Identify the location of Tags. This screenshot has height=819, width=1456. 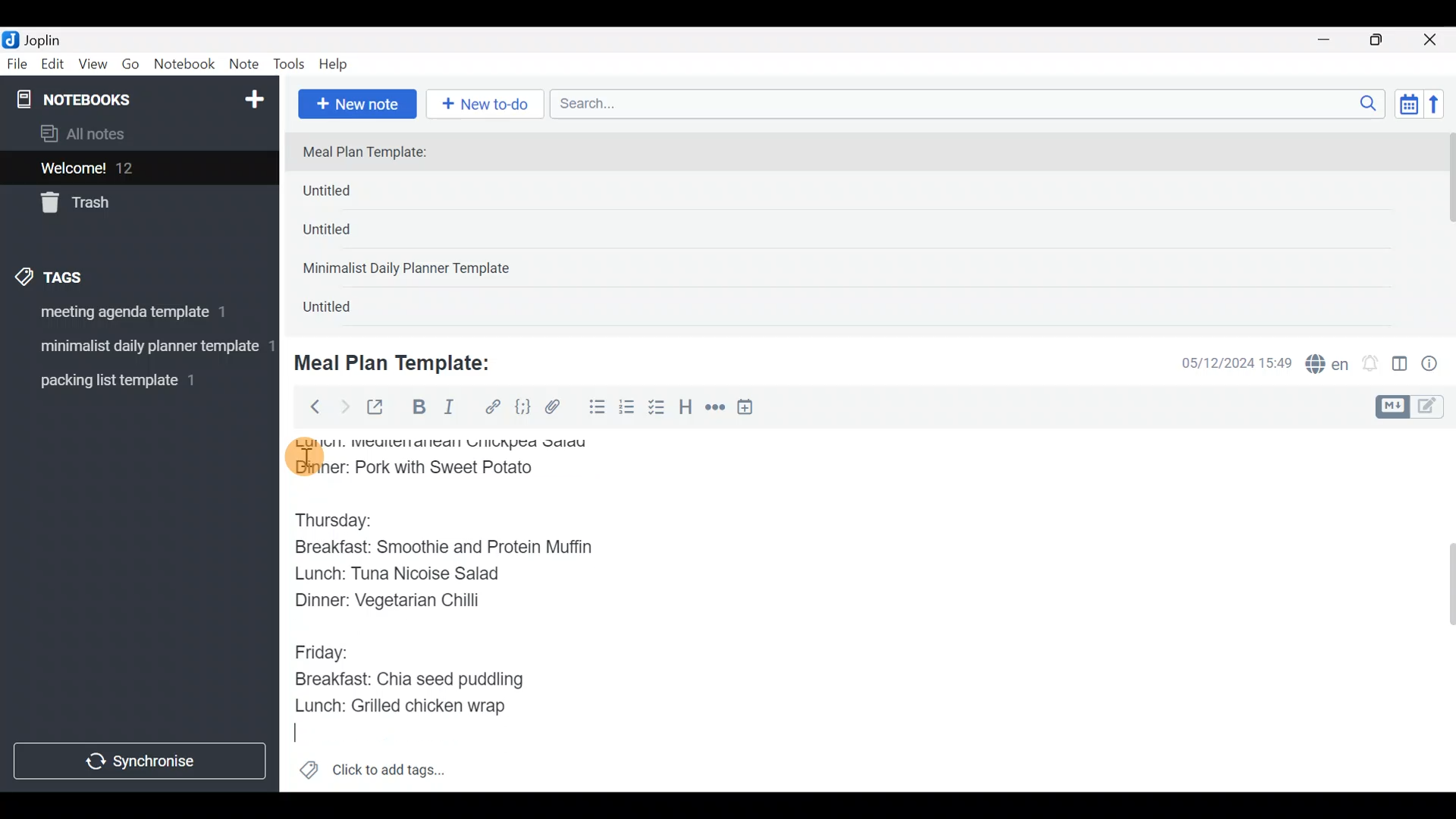
(85, 275).